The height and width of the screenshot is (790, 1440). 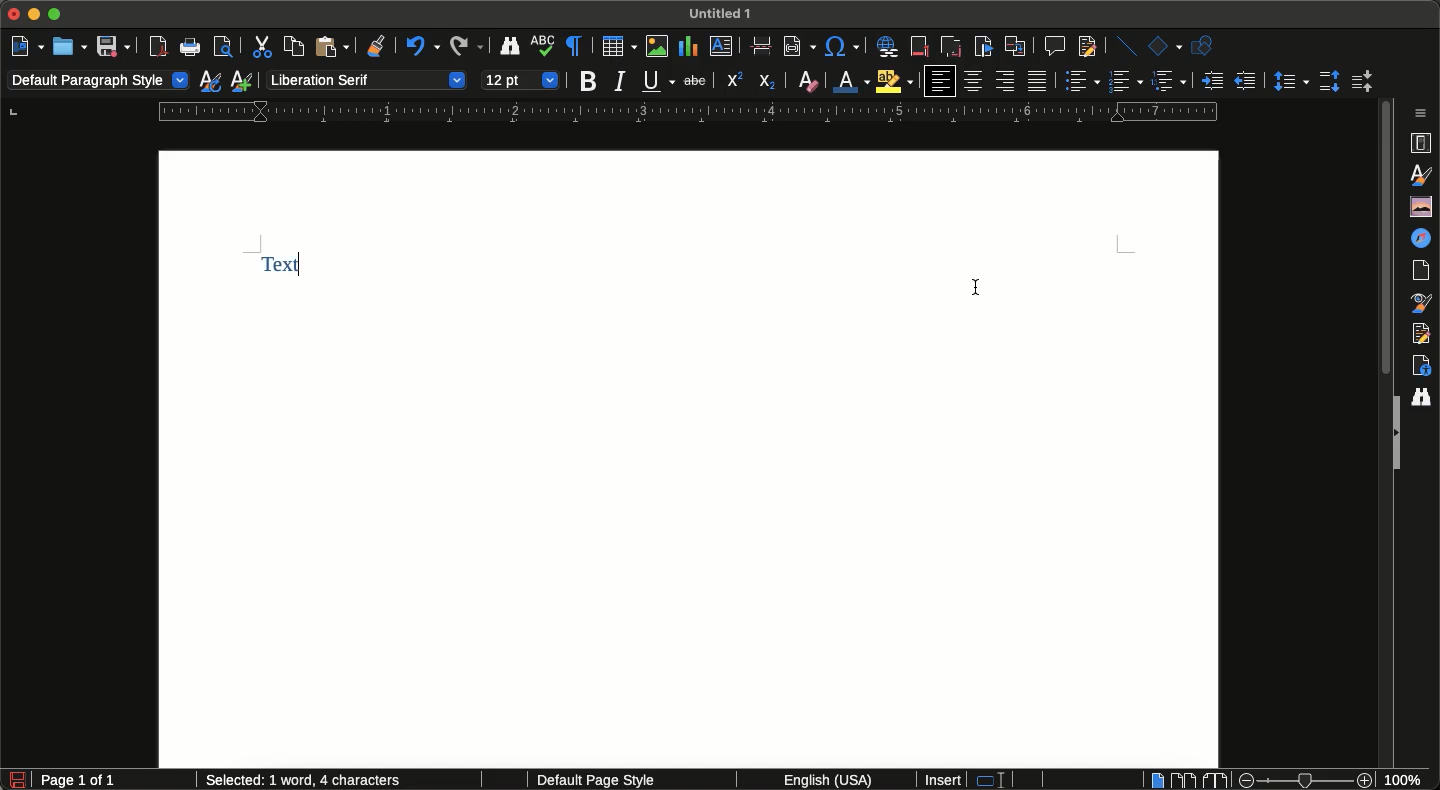 What do you see at coordinates (1242, 780) in the screenshot?
I see `Zoom out` at bounding box center [1242, 780].